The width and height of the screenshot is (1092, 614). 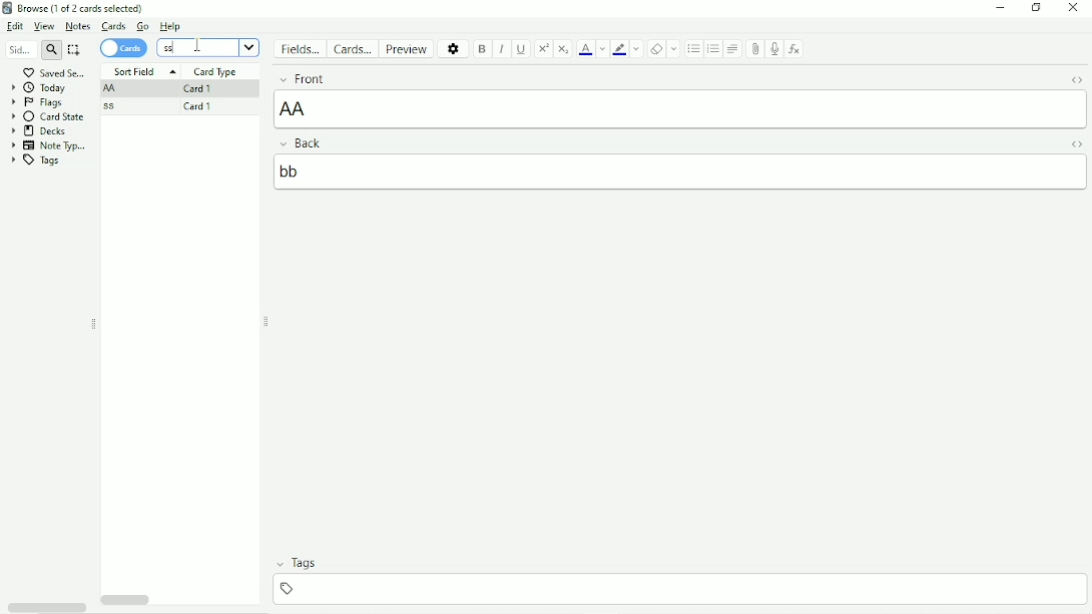 What do you see at coordinates (454, 48) in the screenshot?
I see `Options` at bounding box center [454, 48].